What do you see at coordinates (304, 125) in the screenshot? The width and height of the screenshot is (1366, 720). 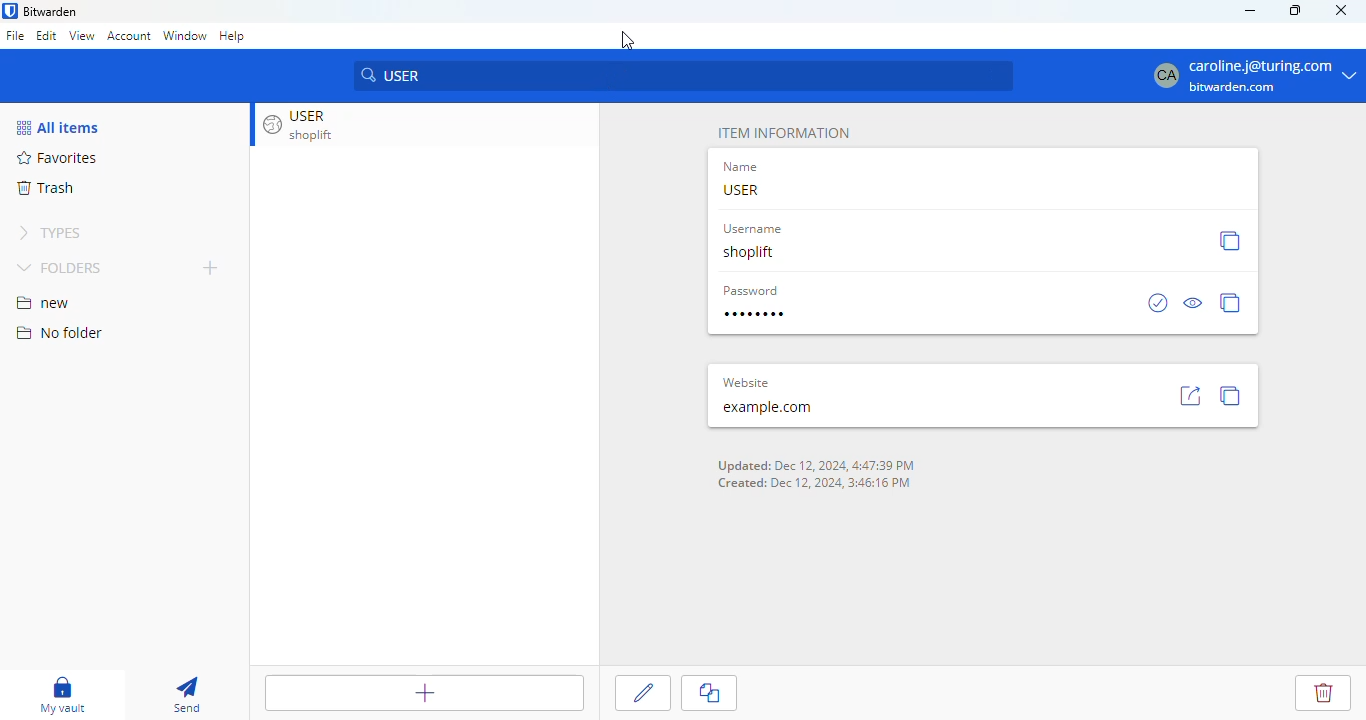 I see `USER    shoplift` at bounding box center [304, 125].